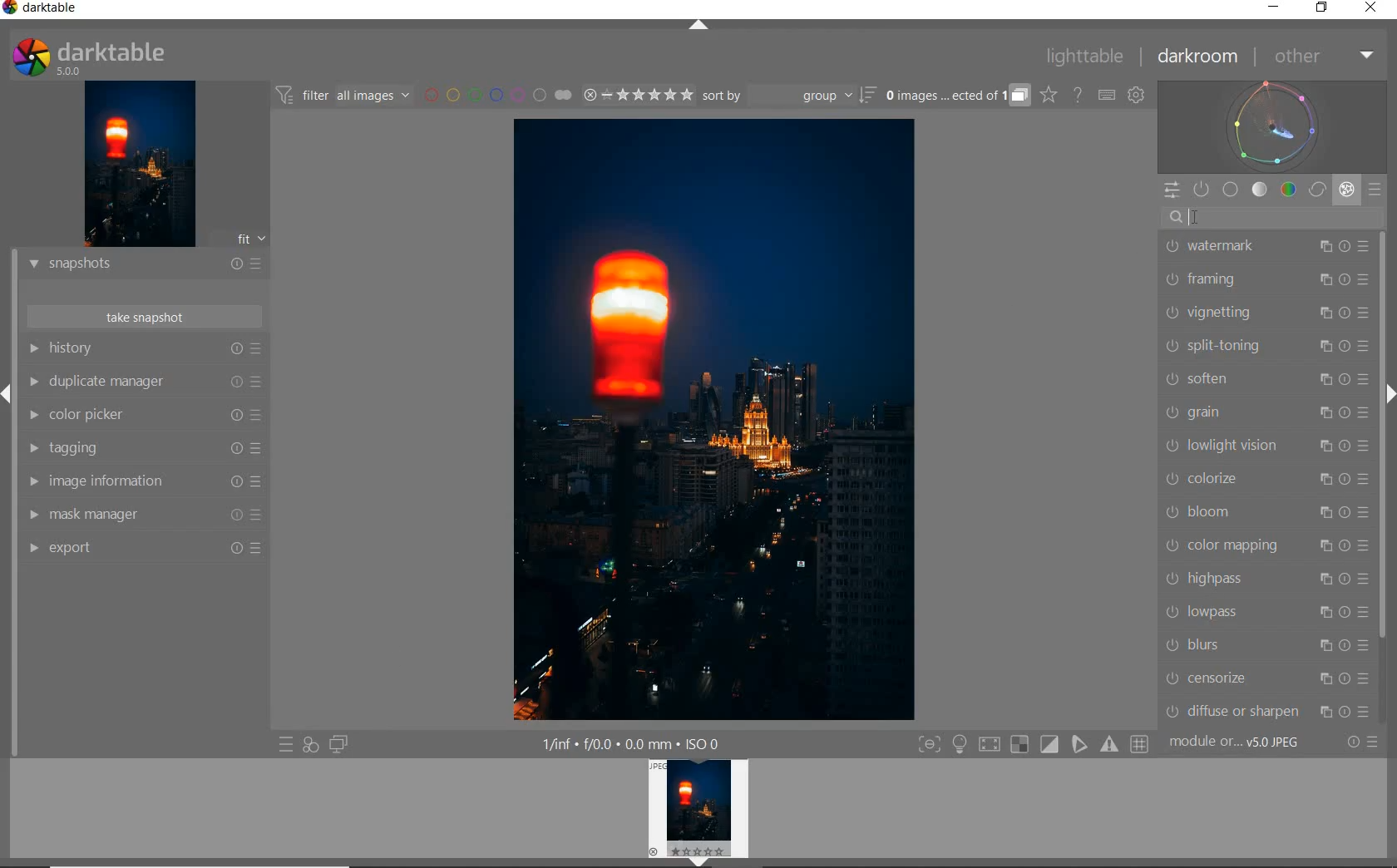  Describe the element at coordinates (1220, 347) in the screenshot. I see `SPLIT-TONING` at that location.